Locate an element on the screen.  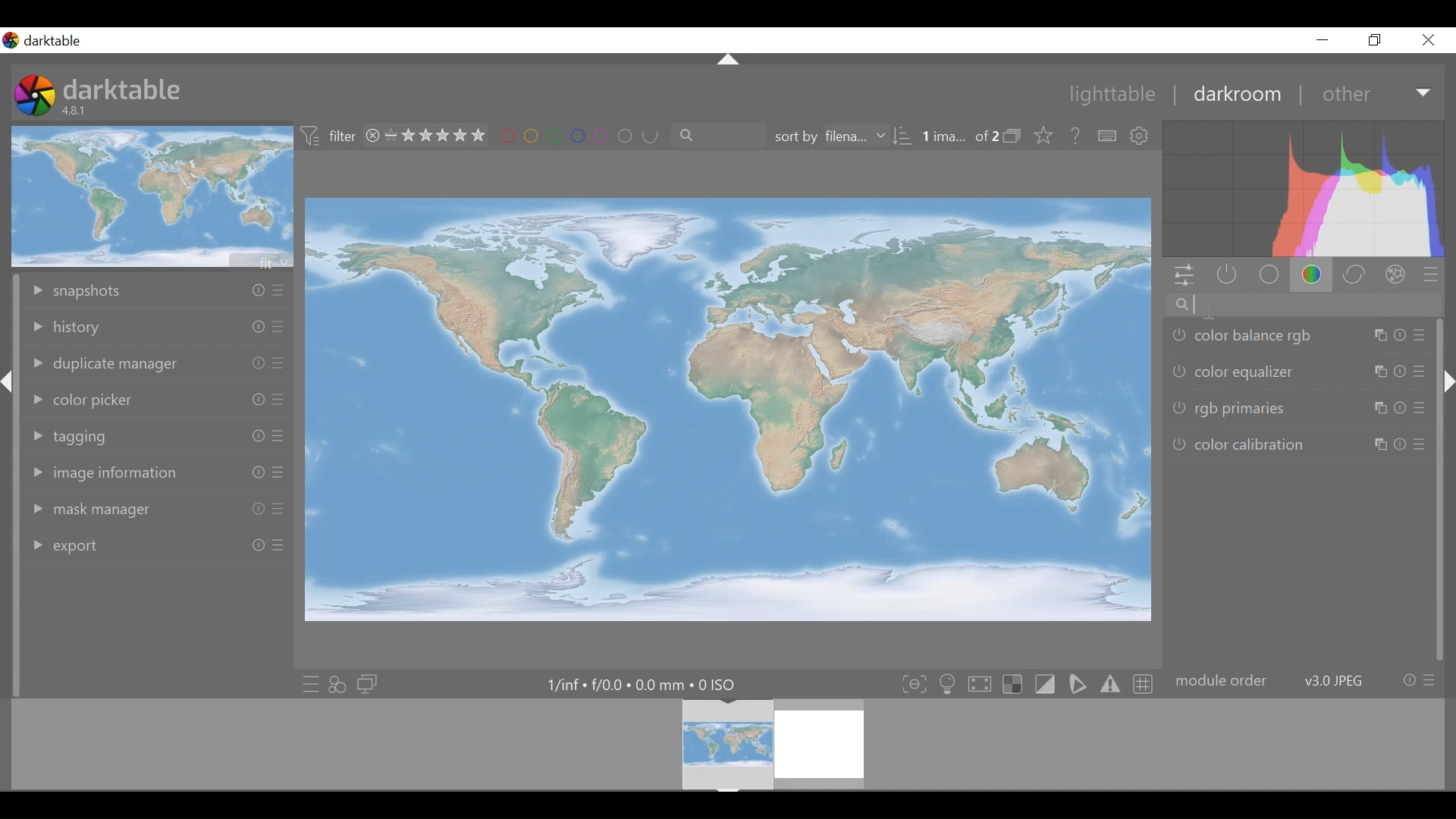
toggle ISO 12642 color assessment is located at coordinates (948, 684).